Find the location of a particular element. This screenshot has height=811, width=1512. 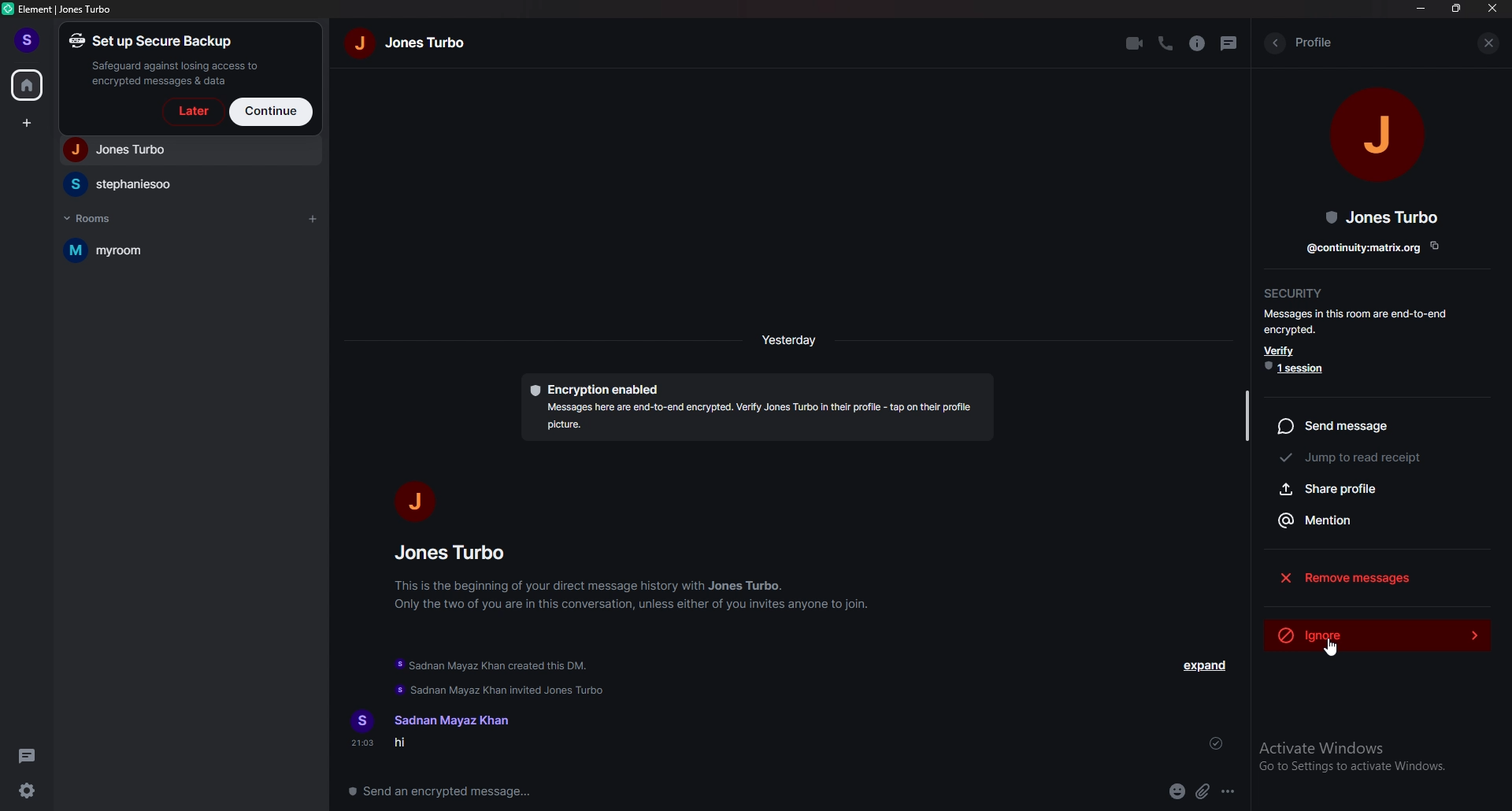

people name is located at coordinates (1383, 217).